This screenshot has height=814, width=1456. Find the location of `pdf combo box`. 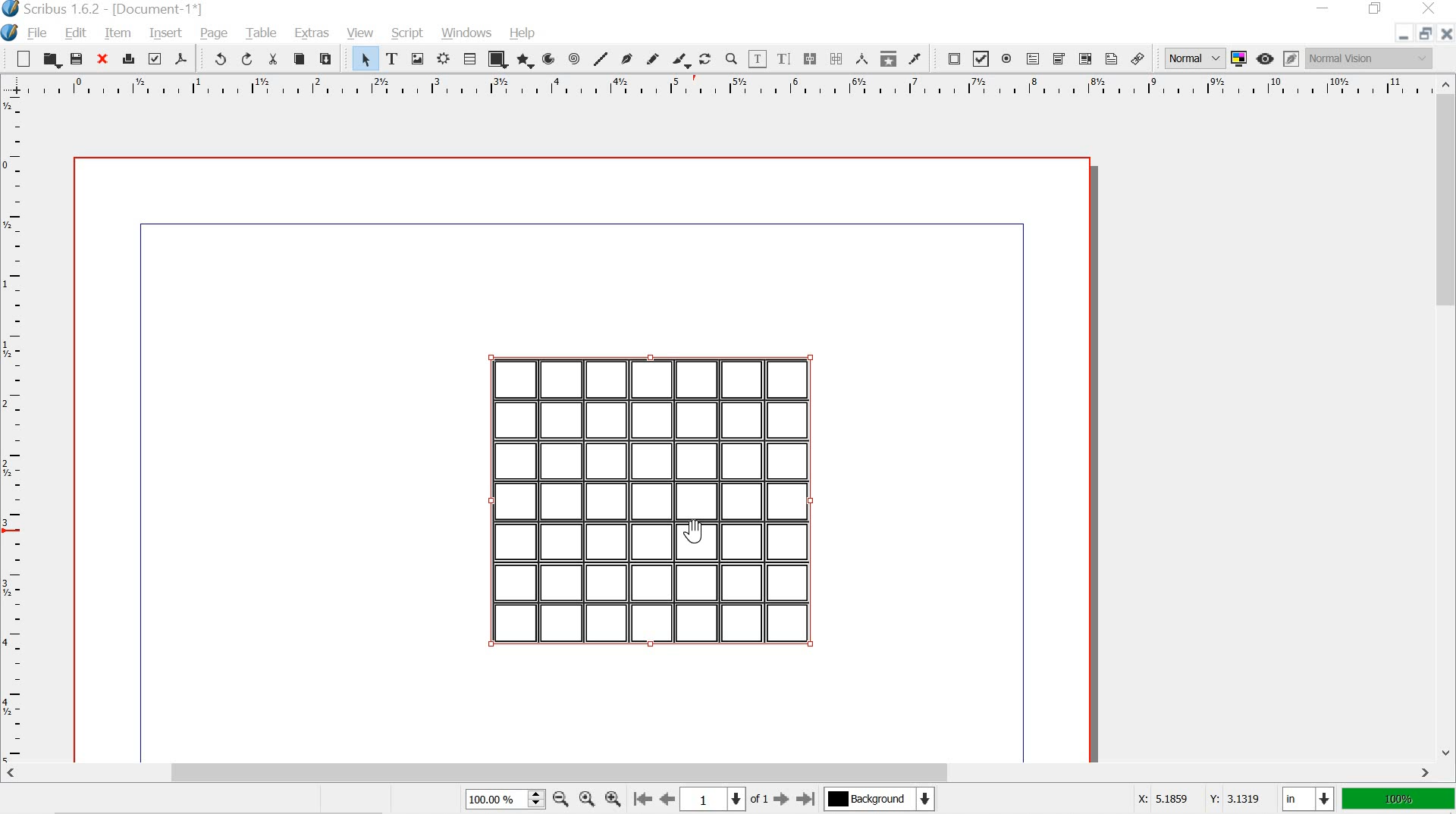

pdf combo box is located at coordinates (1059, 59).